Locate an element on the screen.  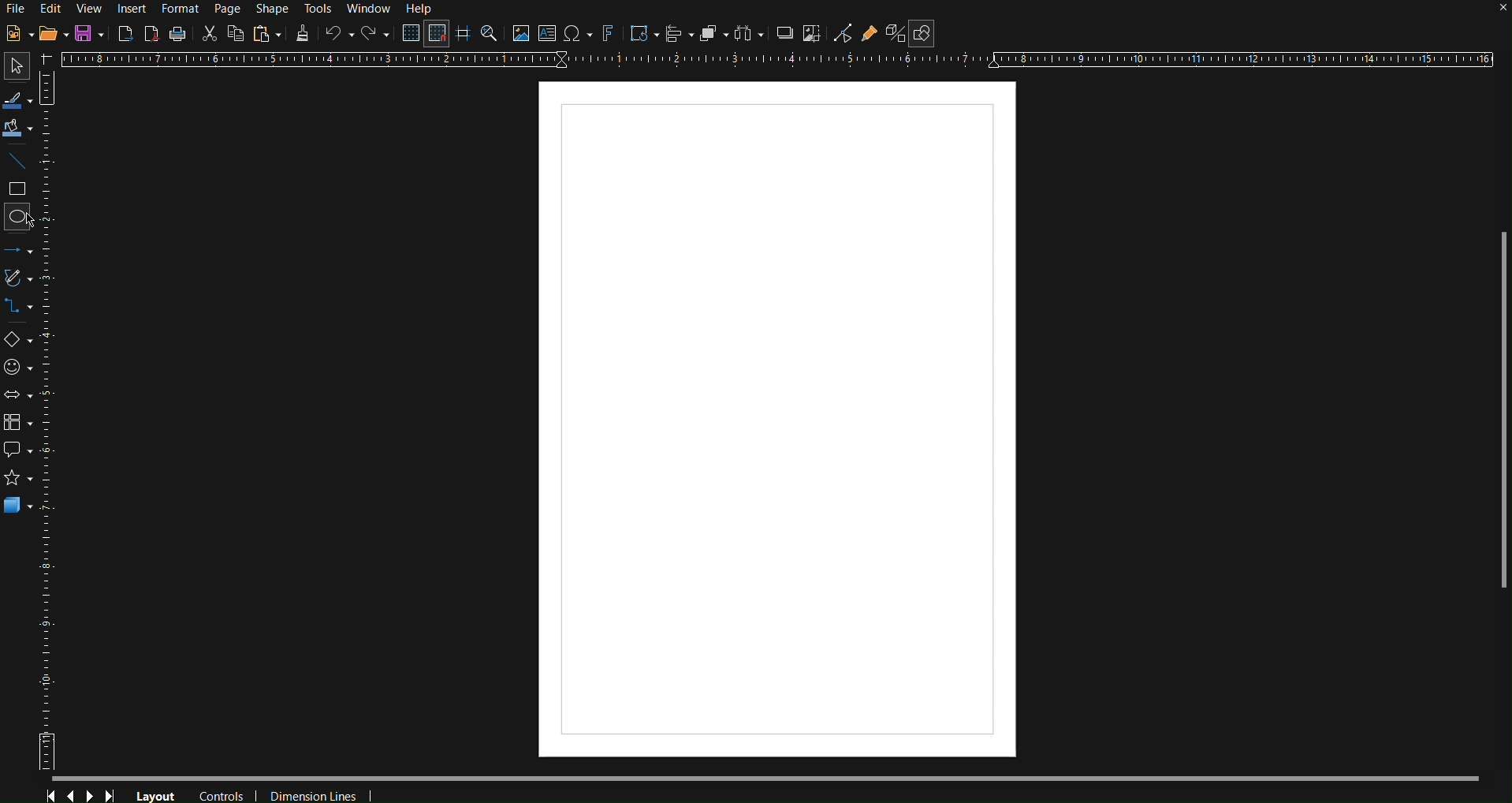
Connectors is located at coordinates (23, 311).